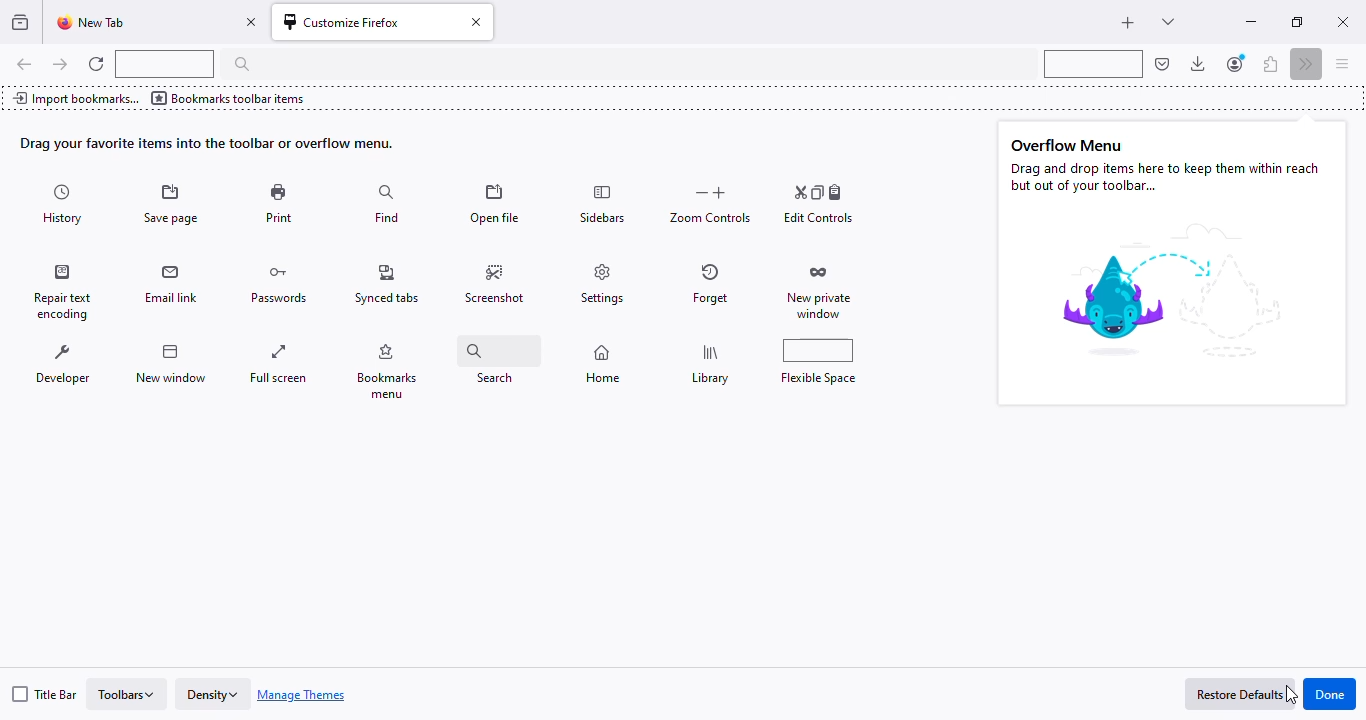  What do you see at coordinates (1251, 22) in the screenshot?
I see `minimize` at bounding box center [1251, 22].